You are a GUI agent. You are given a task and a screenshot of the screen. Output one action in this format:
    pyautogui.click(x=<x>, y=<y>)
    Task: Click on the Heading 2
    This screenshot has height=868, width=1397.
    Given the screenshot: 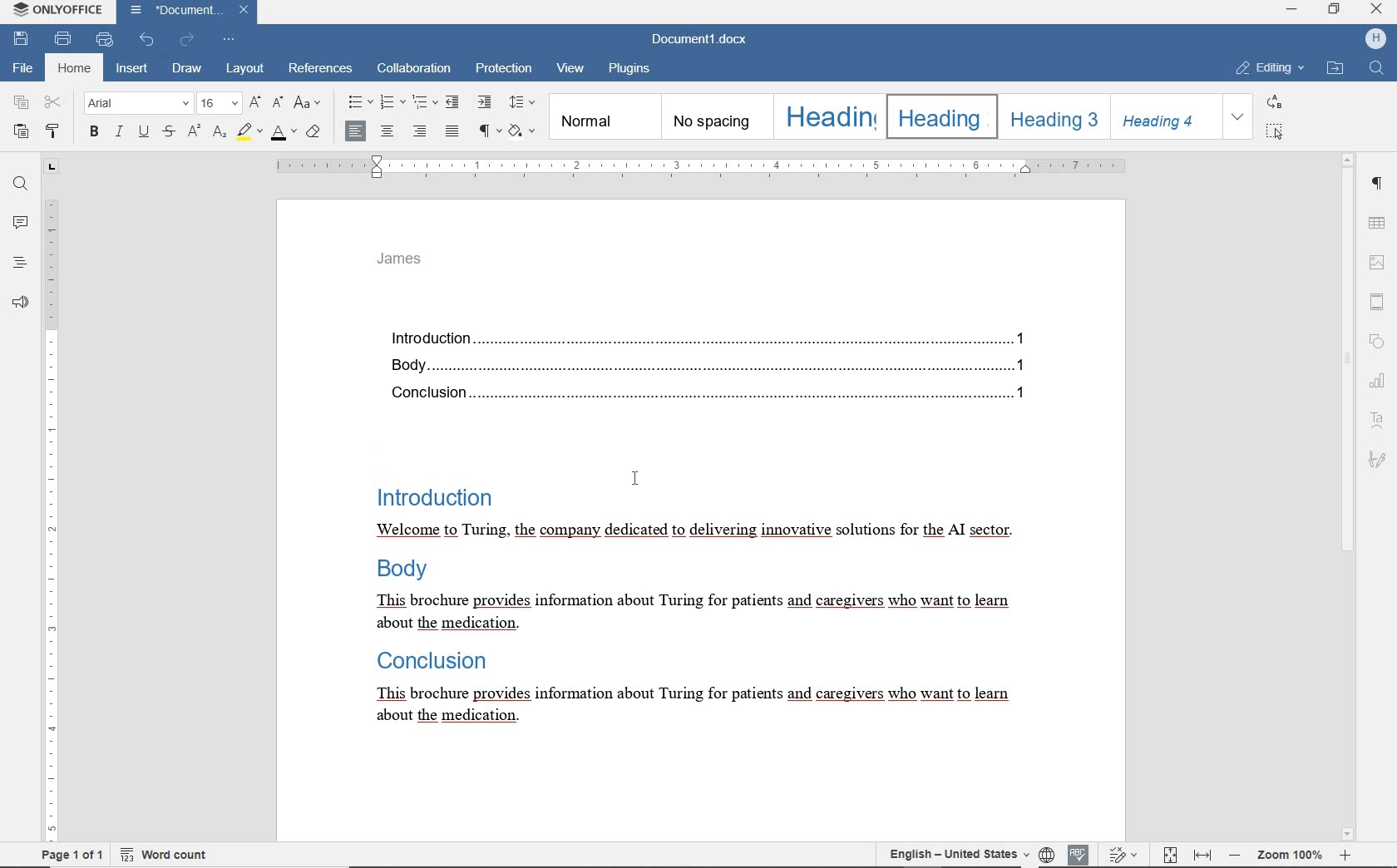 What is the action you would take?
    pyautogui.click(x=938, y=116)
    